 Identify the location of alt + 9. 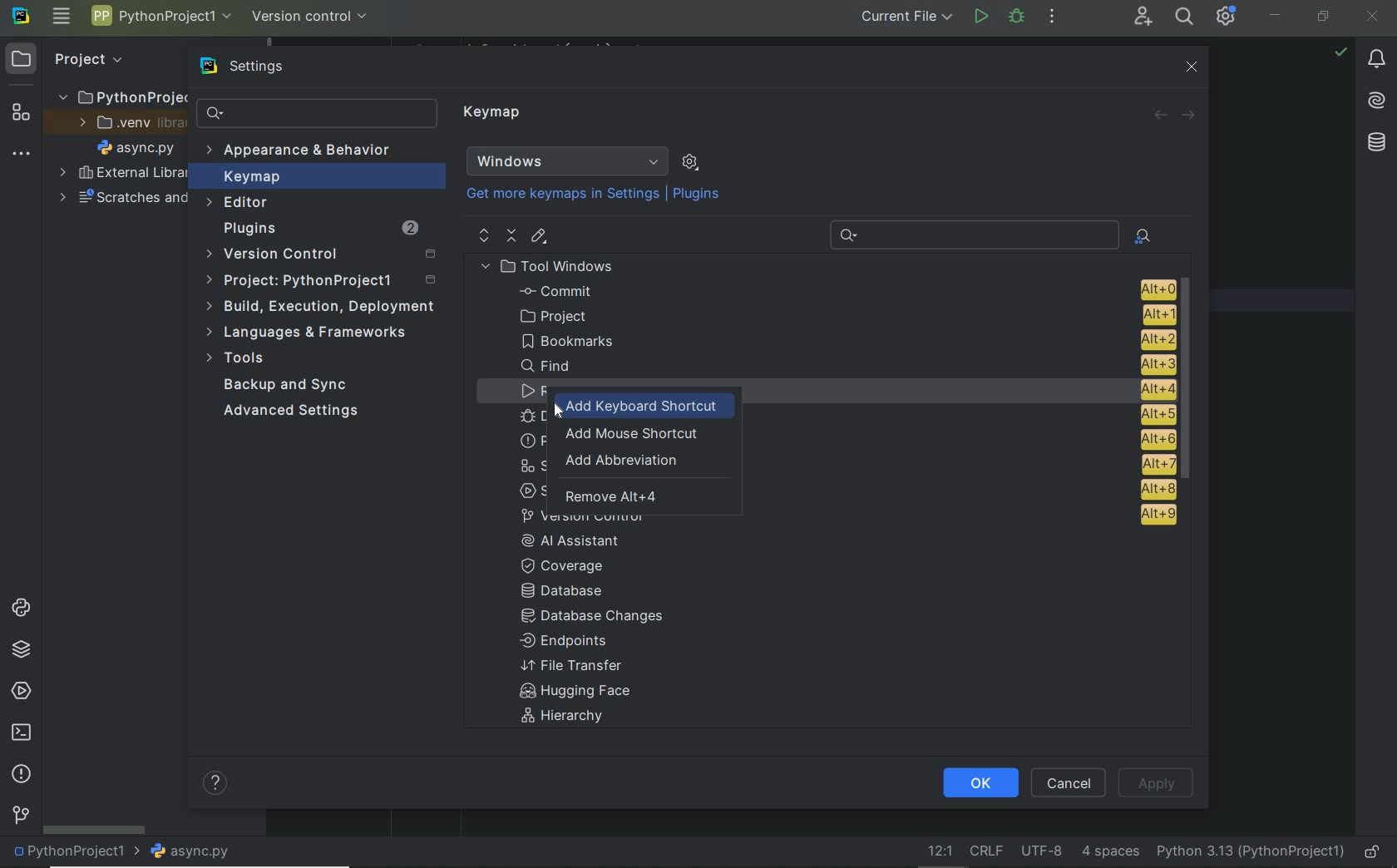
(1155, 518).